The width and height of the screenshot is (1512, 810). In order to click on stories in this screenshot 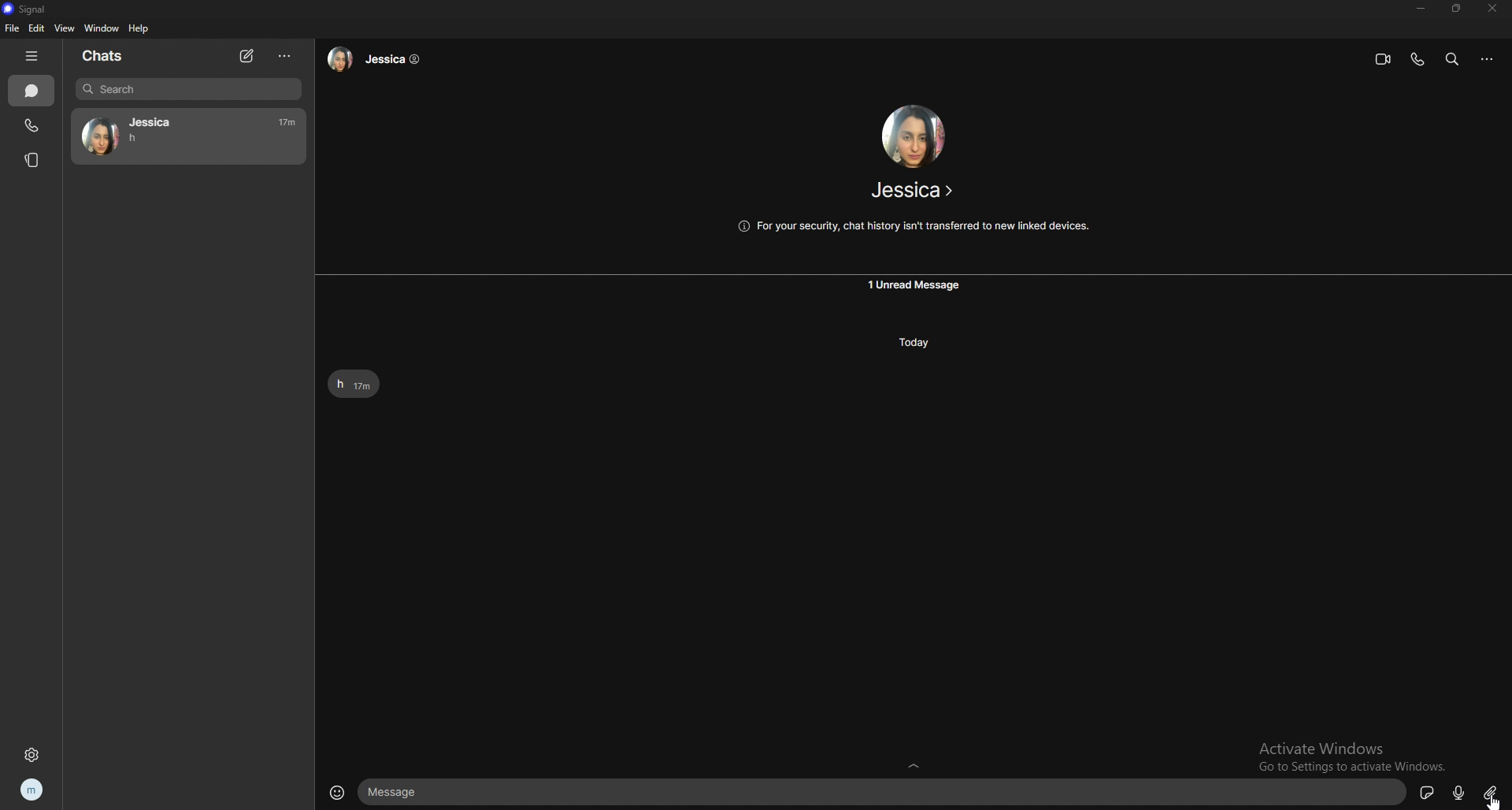, I will do `click(34, 159)`.